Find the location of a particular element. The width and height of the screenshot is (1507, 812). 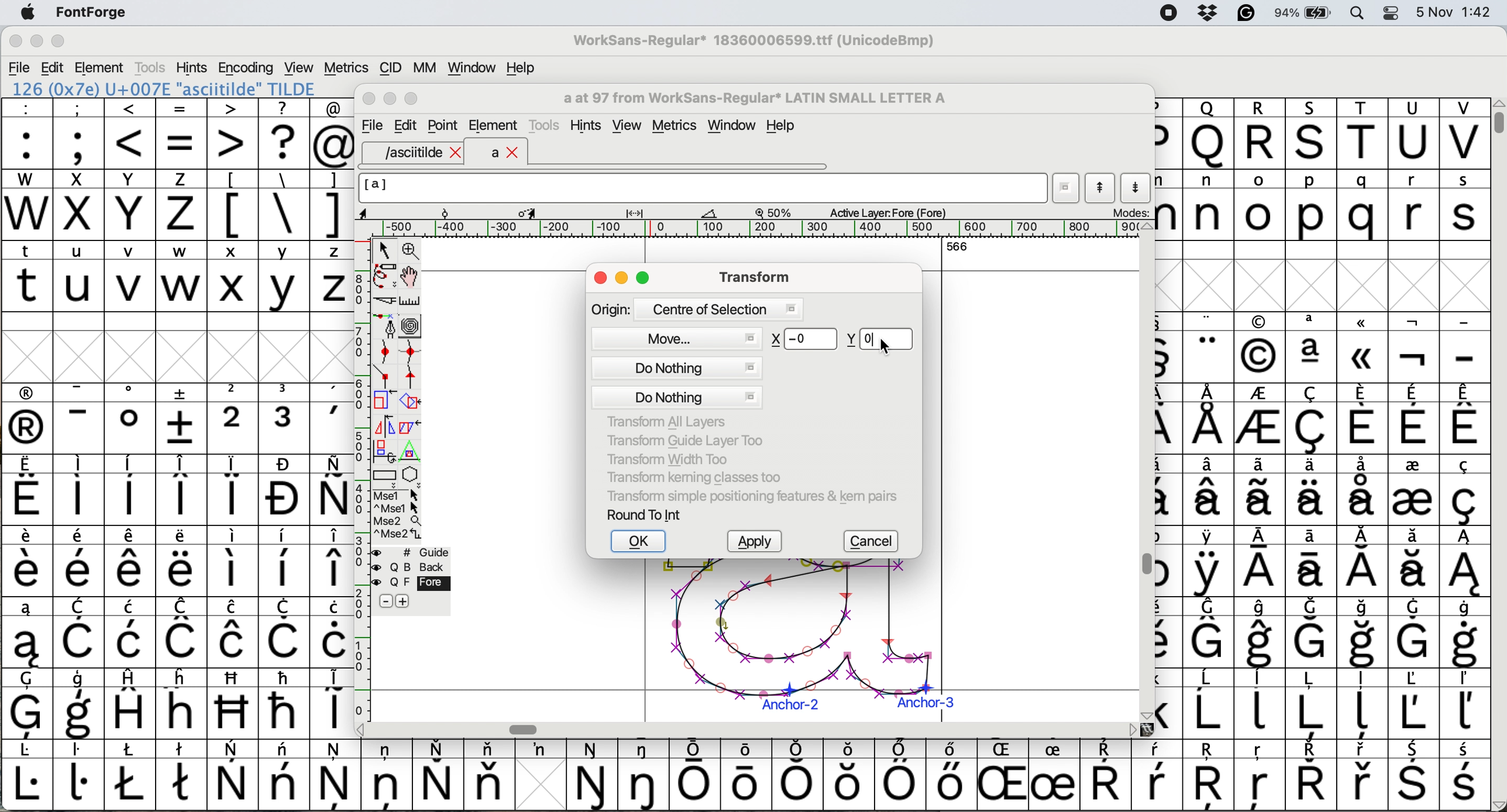

glyph details is located at coordinates (546, 212).